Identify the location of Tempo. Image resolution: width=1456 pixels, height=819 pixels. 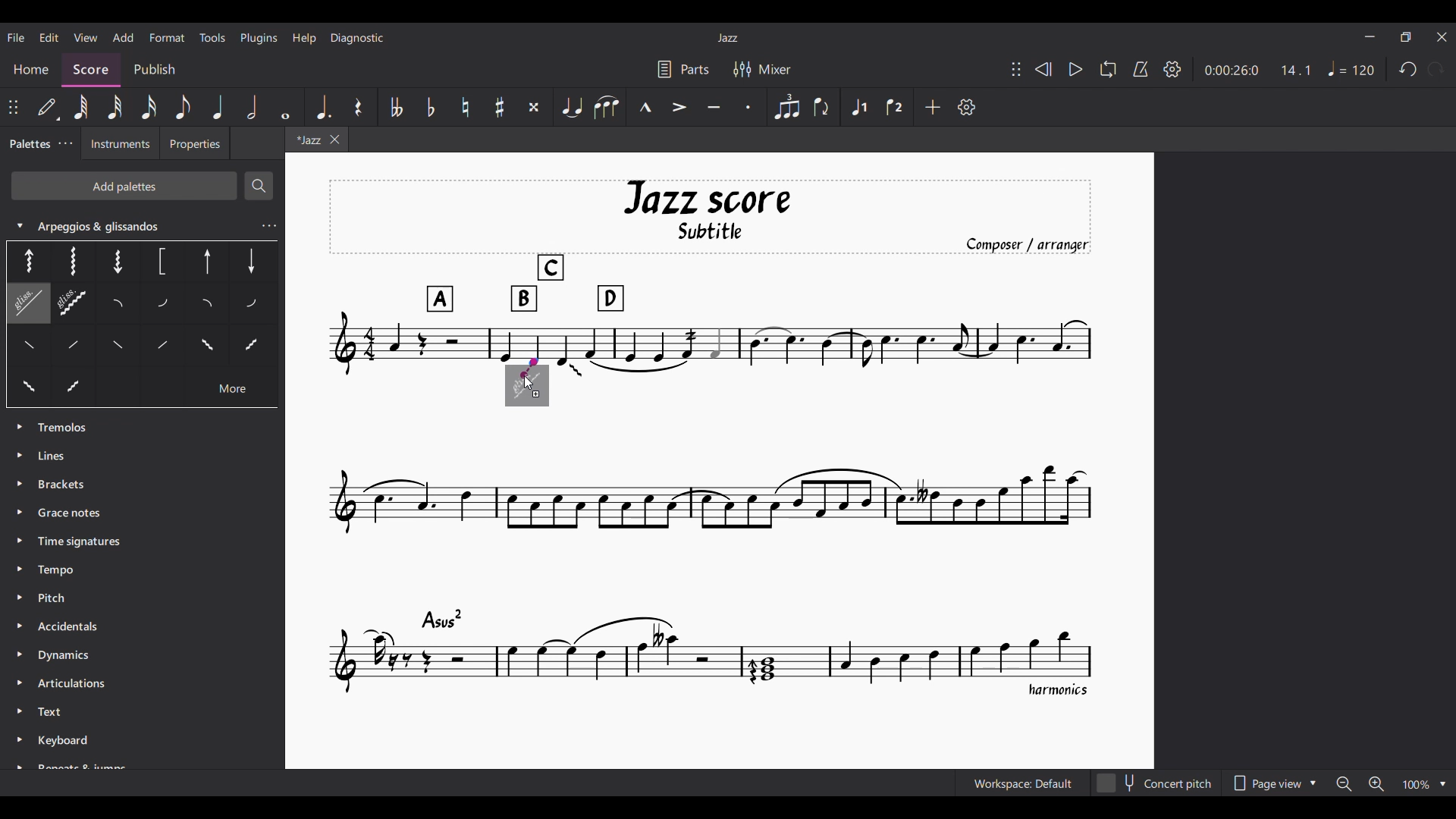
(1351, 68).